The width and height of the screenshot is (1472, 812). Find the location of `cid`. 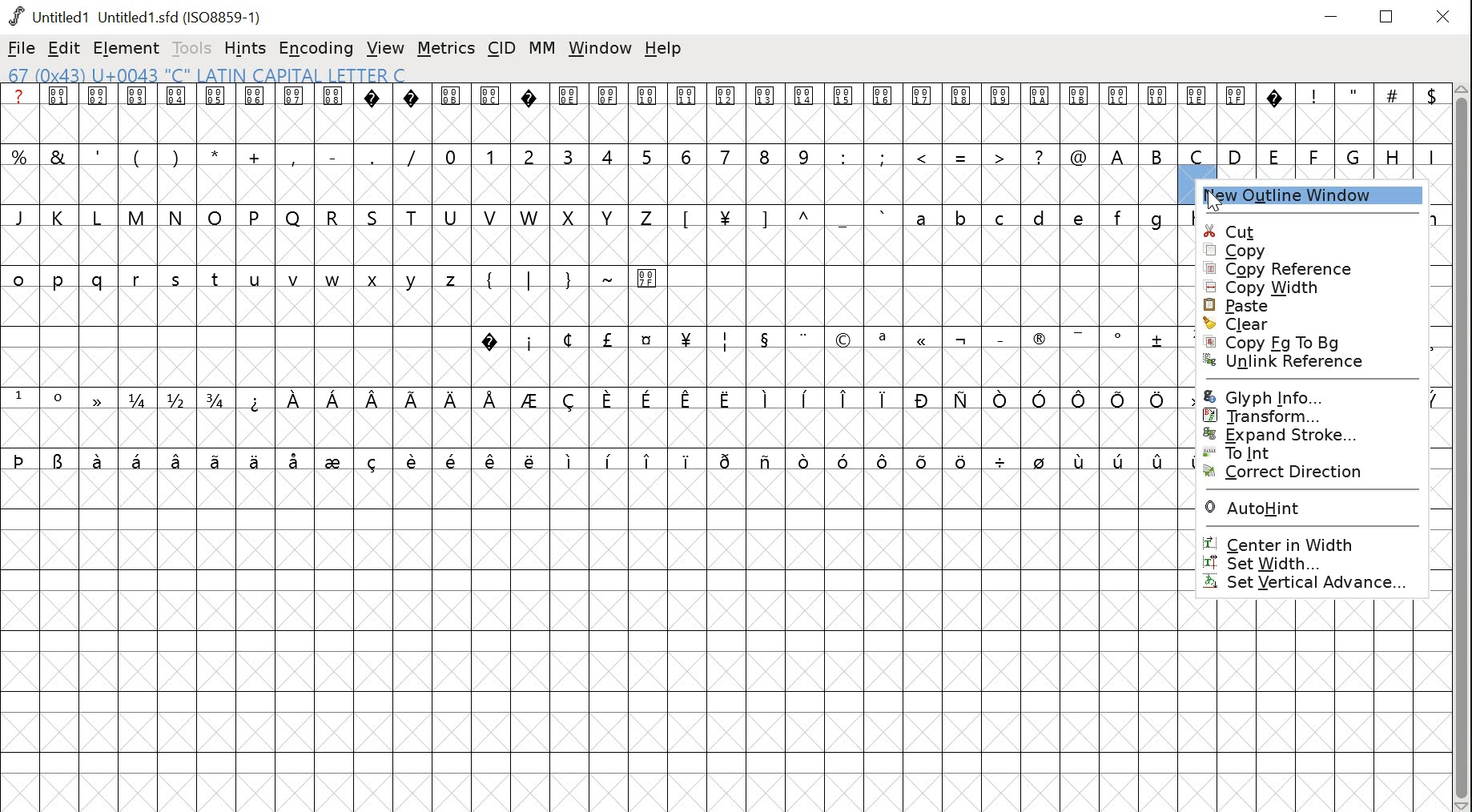

cid is located at coordinates (501, 46).